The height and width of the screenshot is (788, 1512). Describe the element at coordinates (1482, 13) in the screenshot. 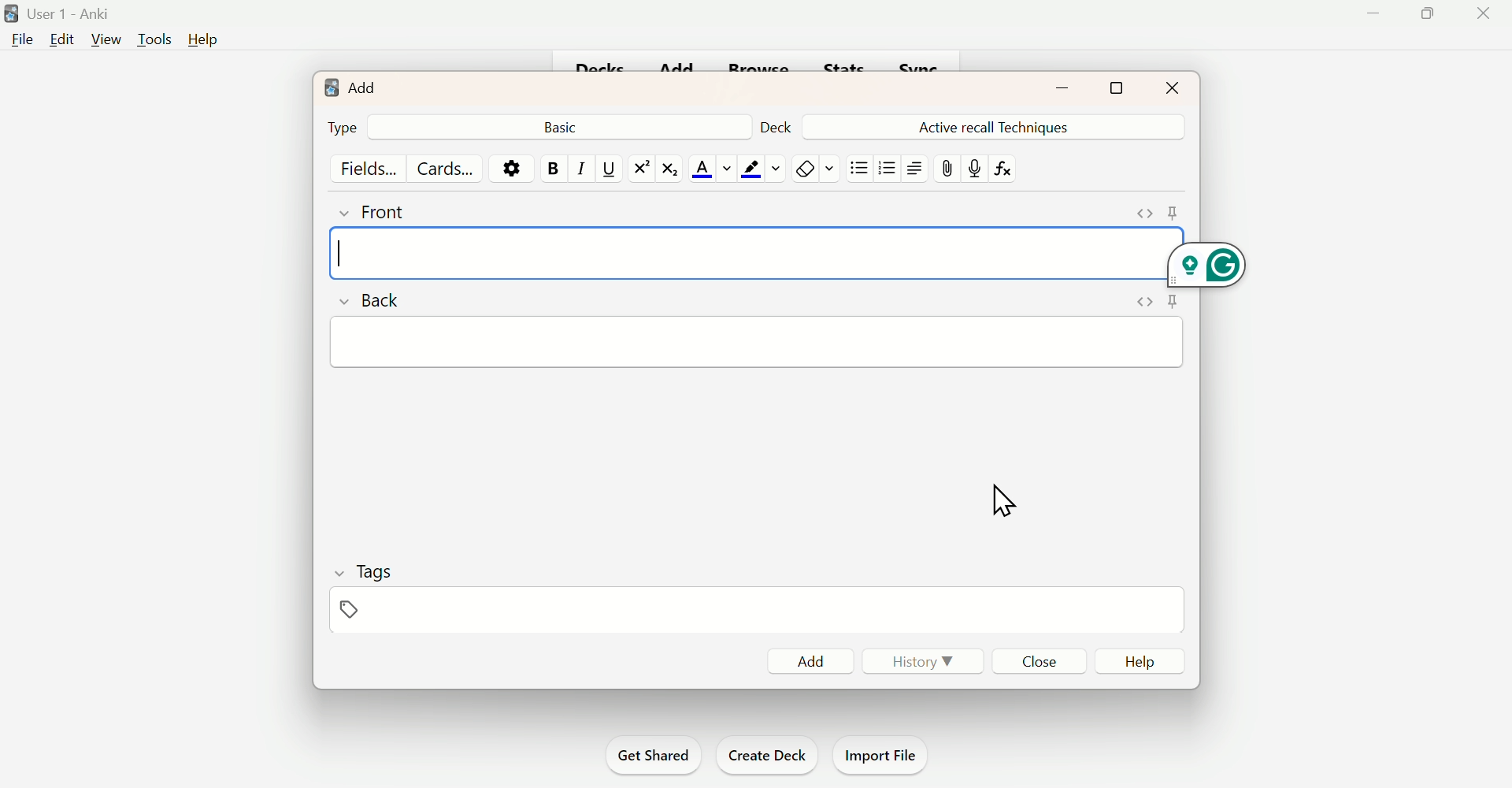

I see `Close` at that location.